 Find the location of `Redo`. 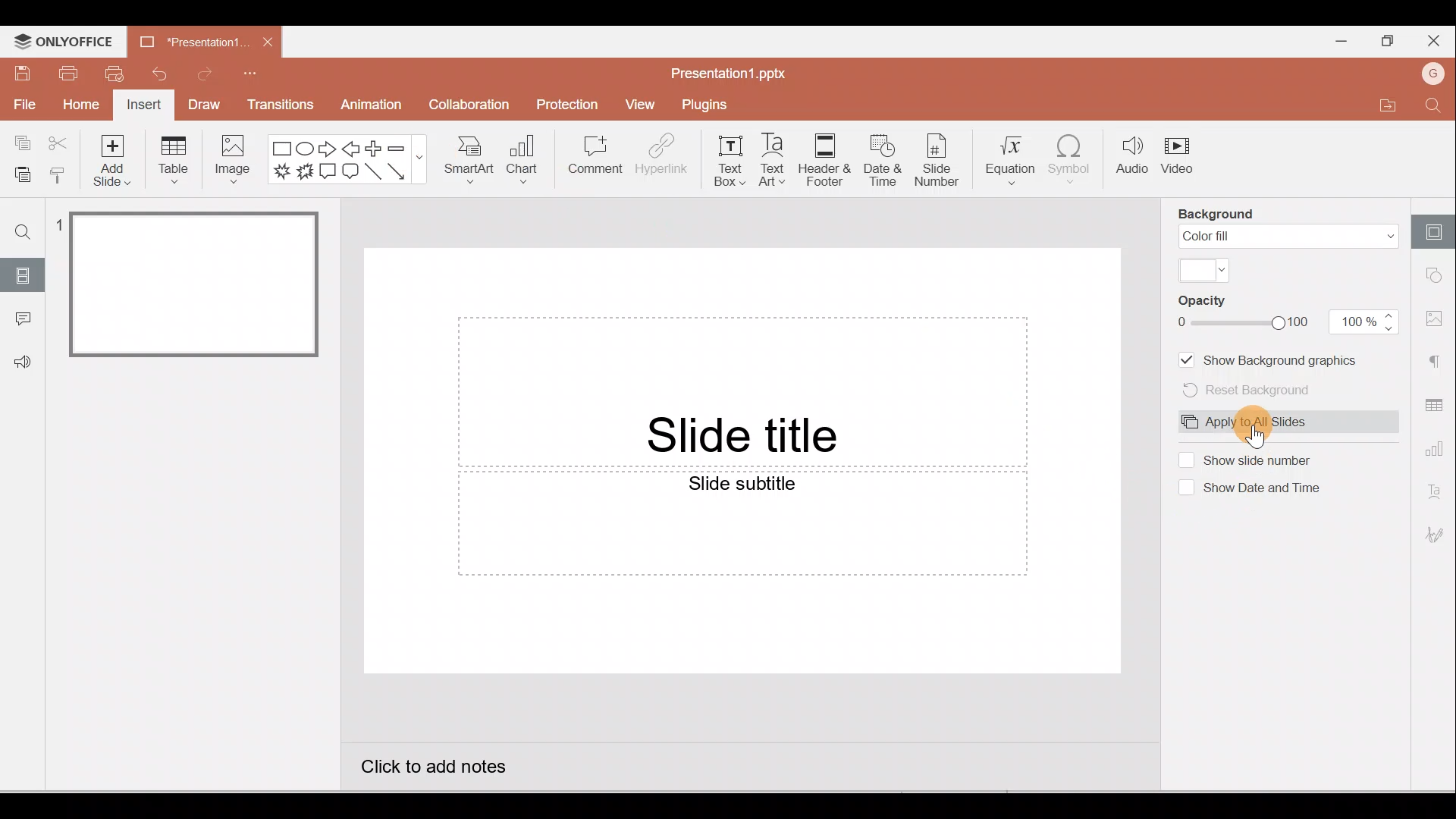

Redo is located at coordinates (209, 73).